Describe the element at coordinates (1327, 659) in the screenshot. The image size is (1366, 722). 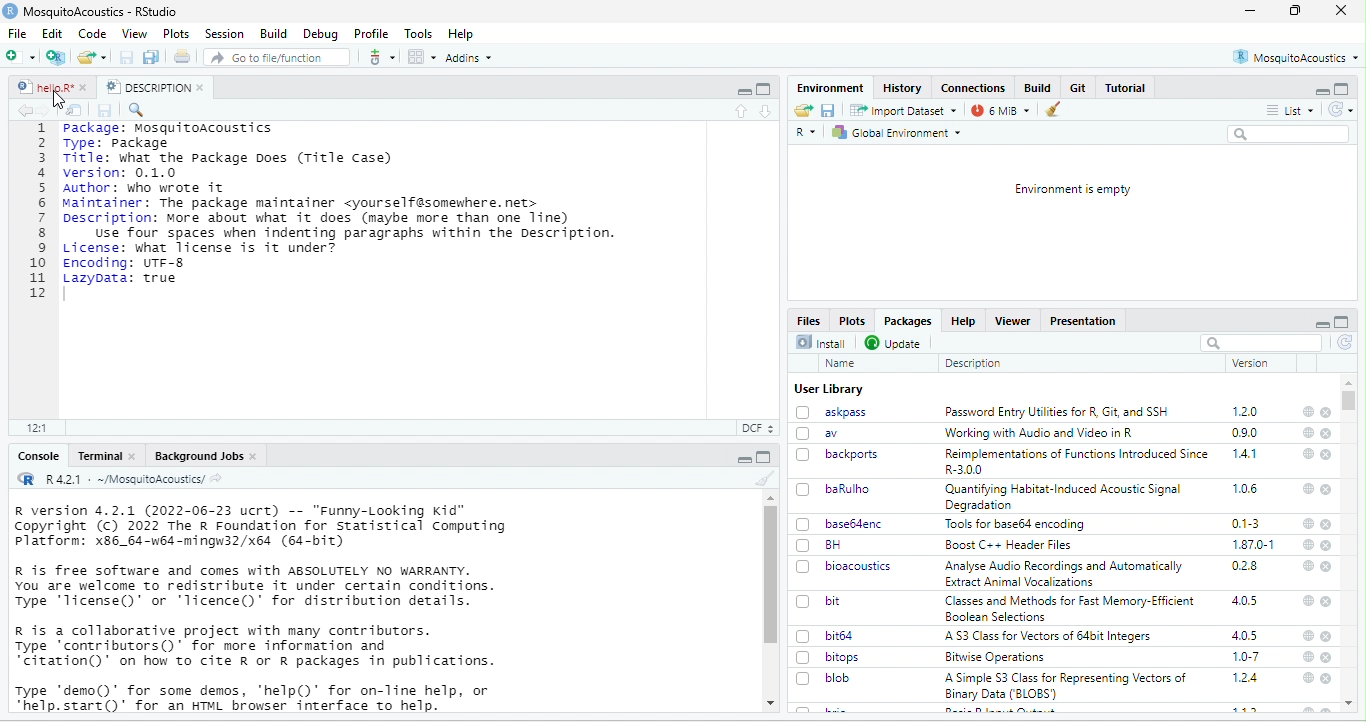
I see `close` at that location.